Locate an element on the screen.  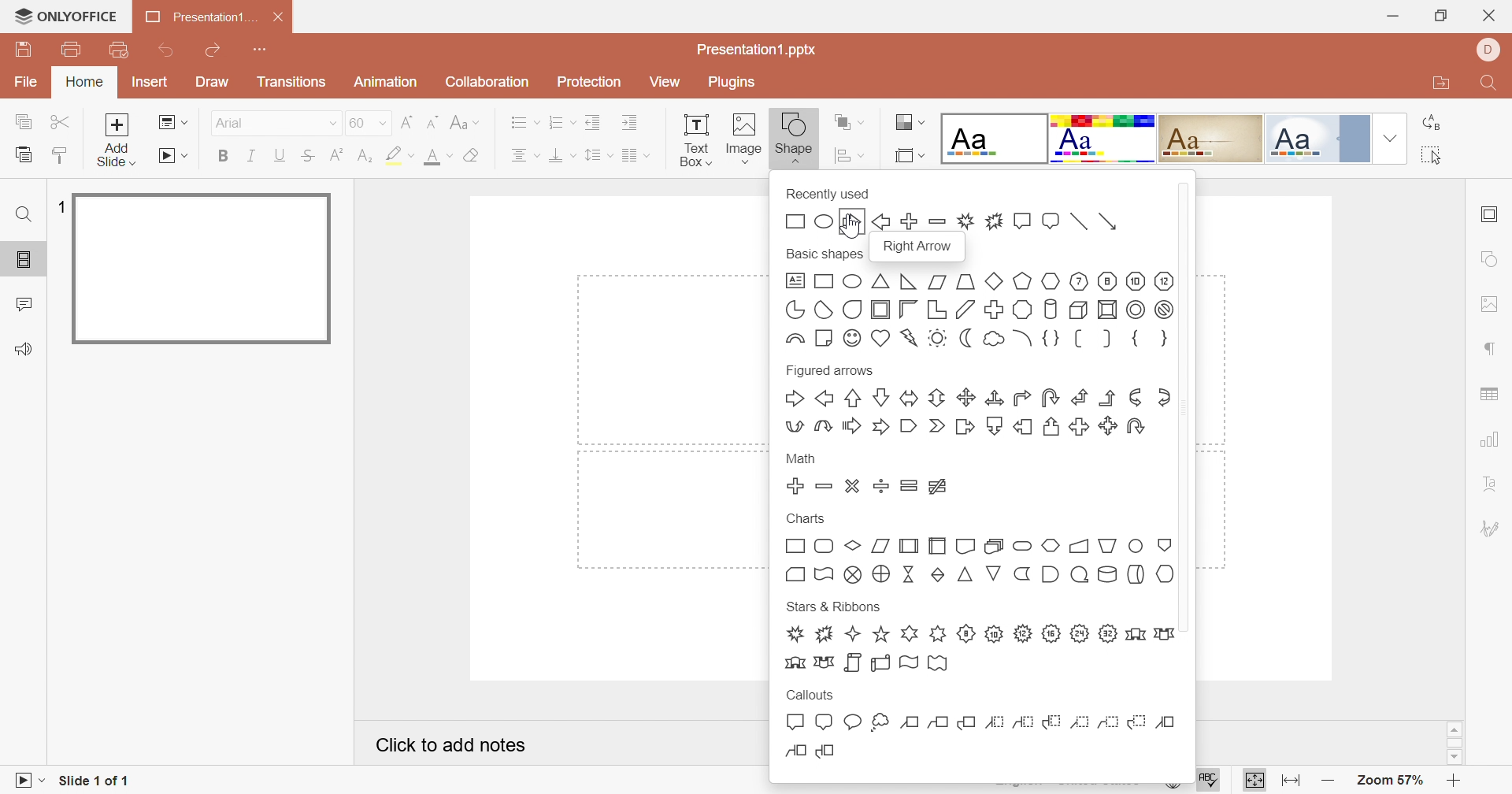
Plugins is located at coordinates (732, 82).